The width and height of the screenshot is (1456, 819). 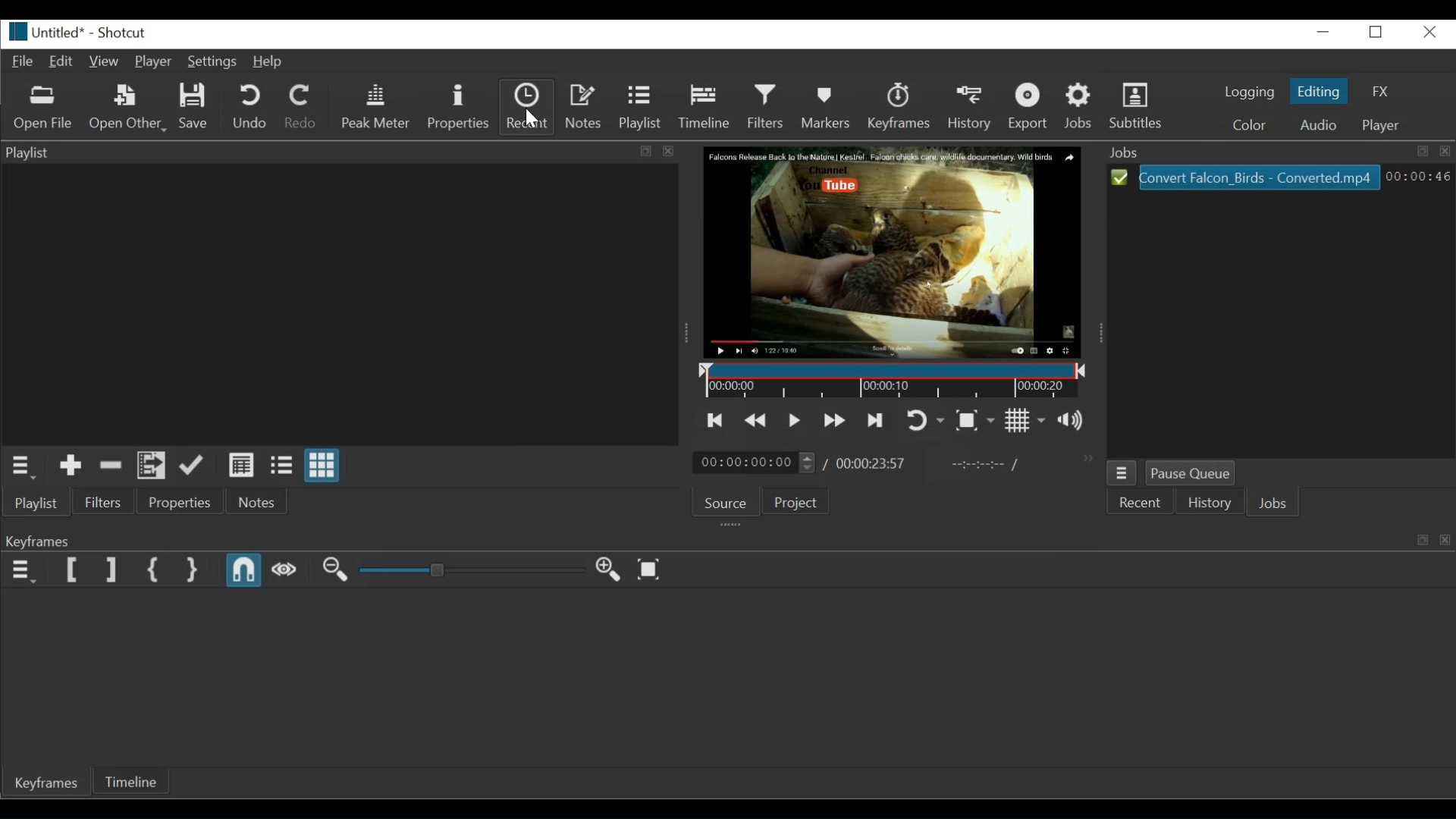 What do you see at coordinates (1081, 107) in the screenshot?
I see `Jobs` at bounding box center [1081, 107].